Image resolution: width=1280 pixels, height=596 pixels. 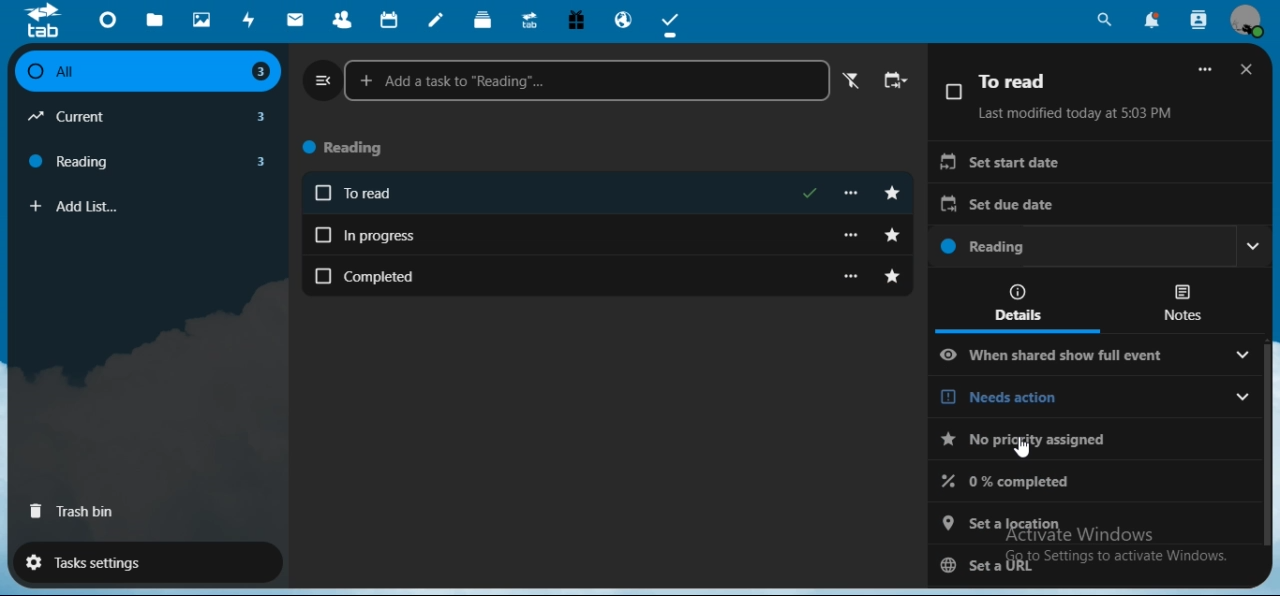 What do you see at coordinates (94, 207) in the screenshot?
I see `add list` at bounding box center [94, 207].